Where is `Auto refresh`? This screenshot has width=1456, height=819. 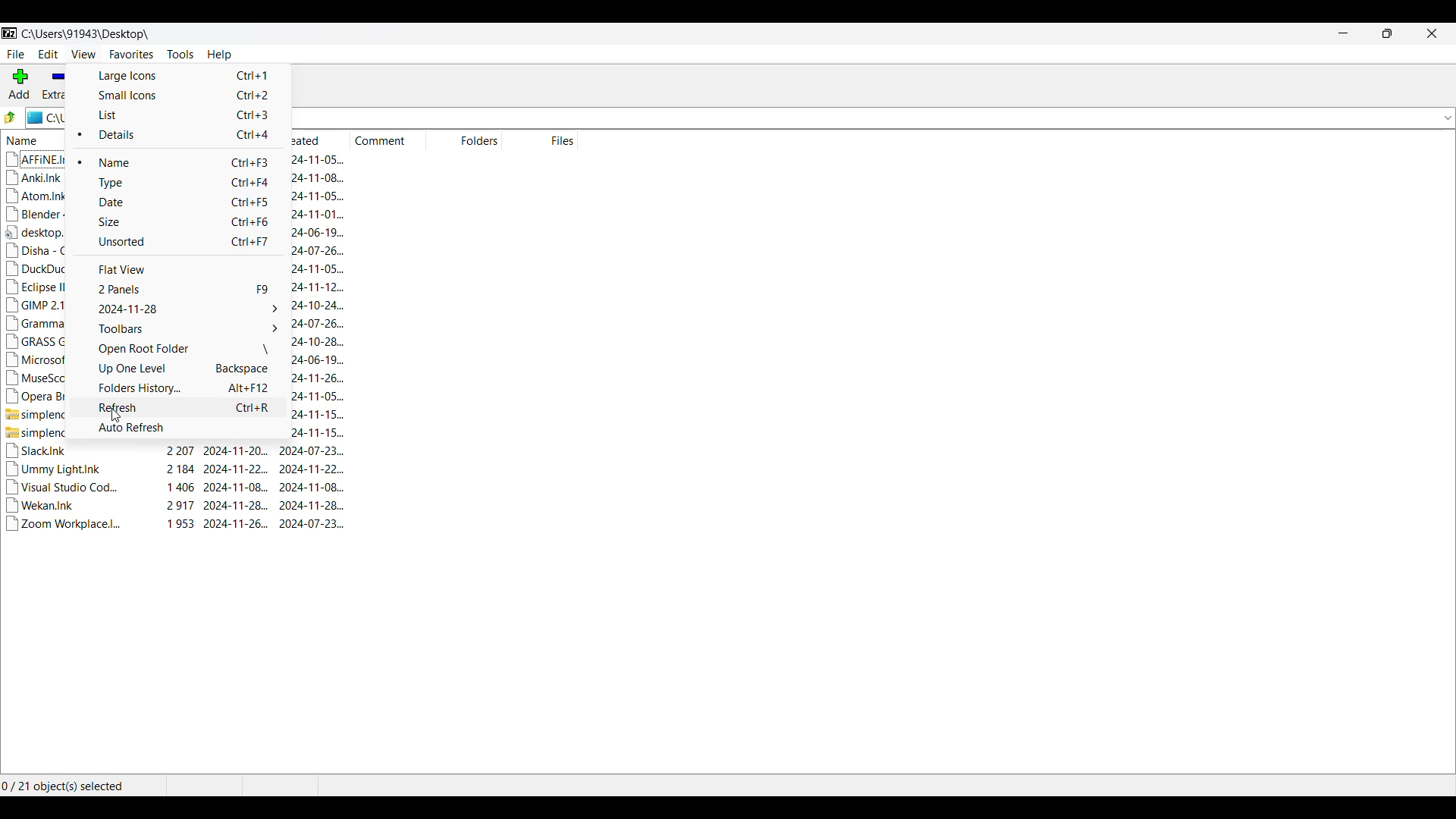 Auto refresh is located at coordinates (180, 428).